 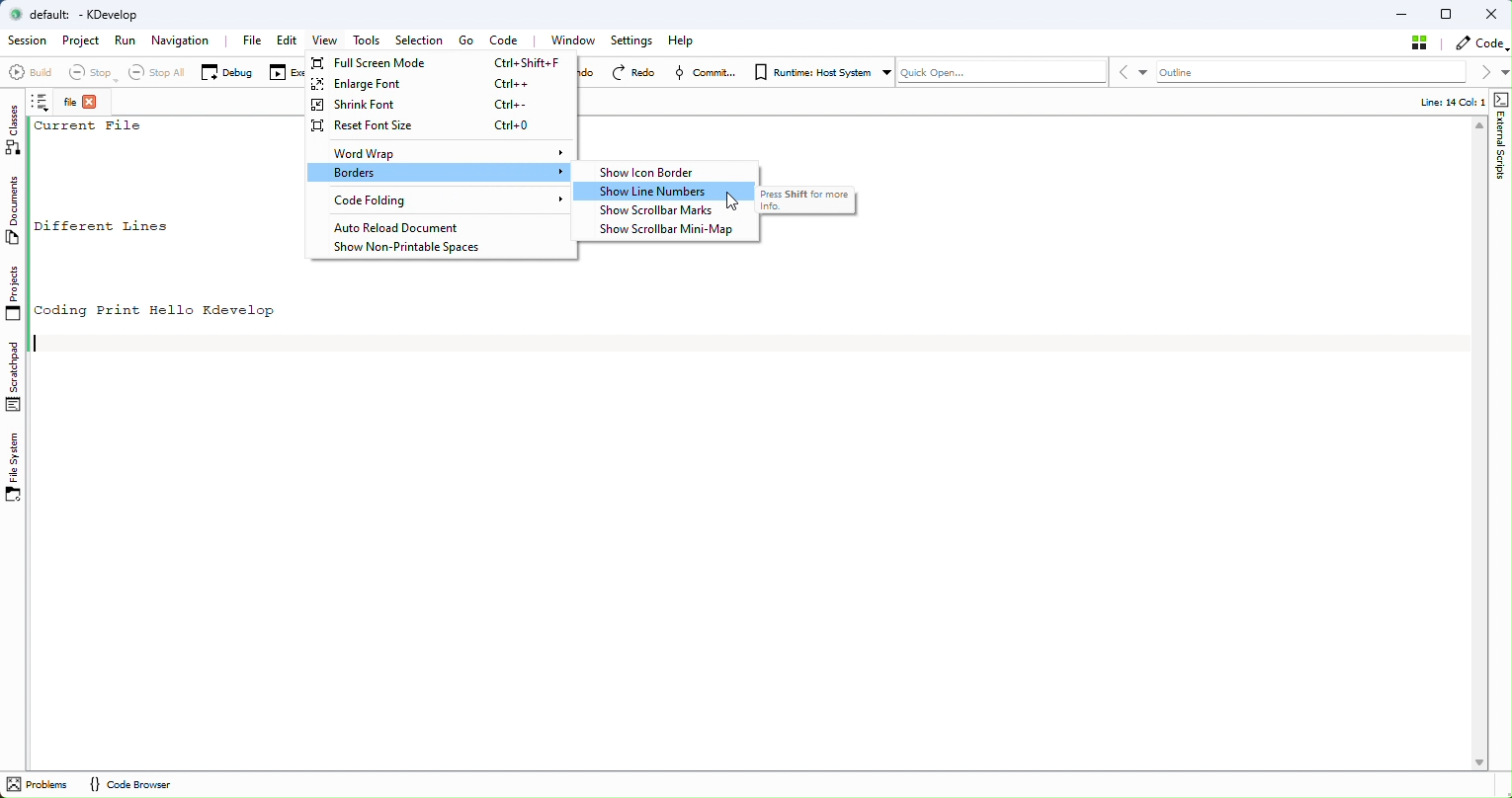 I want to click on Show Non-Printable Spaces, so click(x=413, y=248).